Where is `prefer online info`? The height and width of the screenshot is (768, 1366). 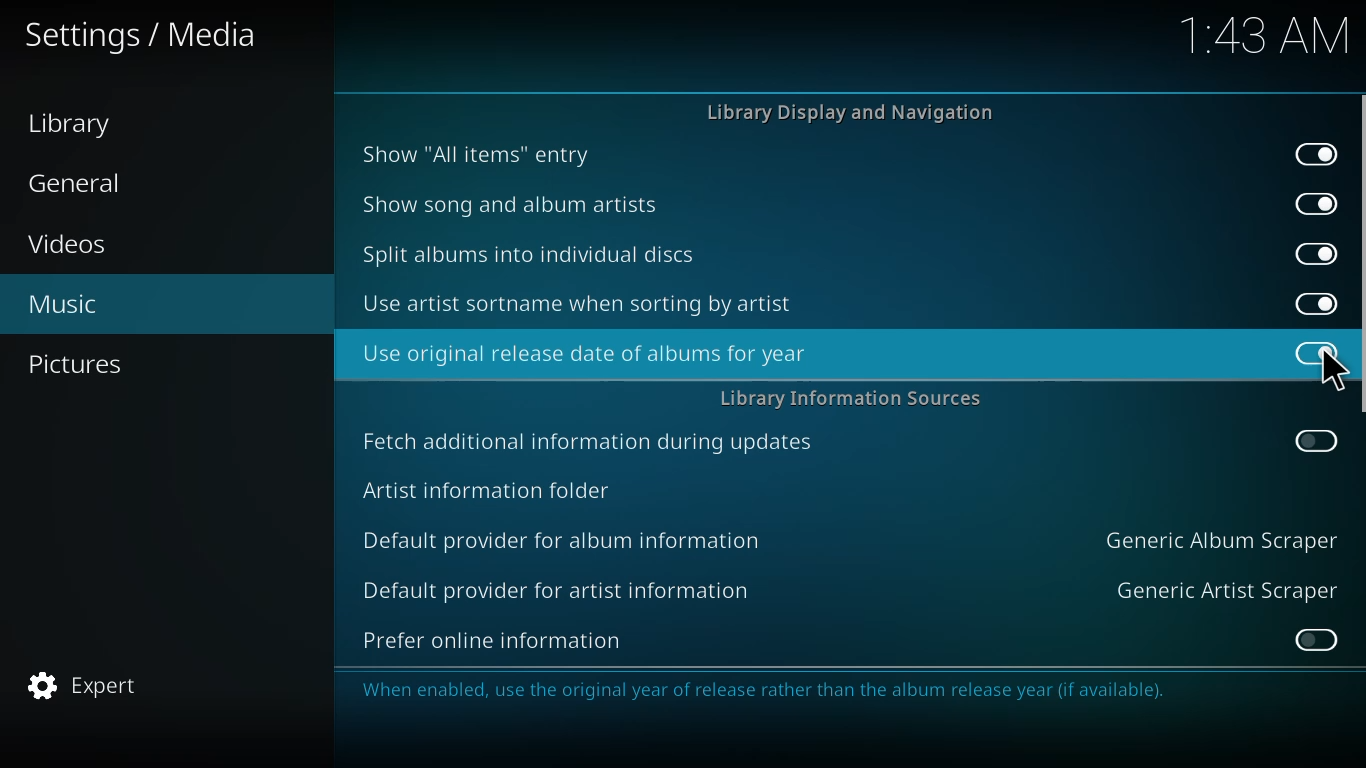 prefer online info is located at coordinates (493, 640).